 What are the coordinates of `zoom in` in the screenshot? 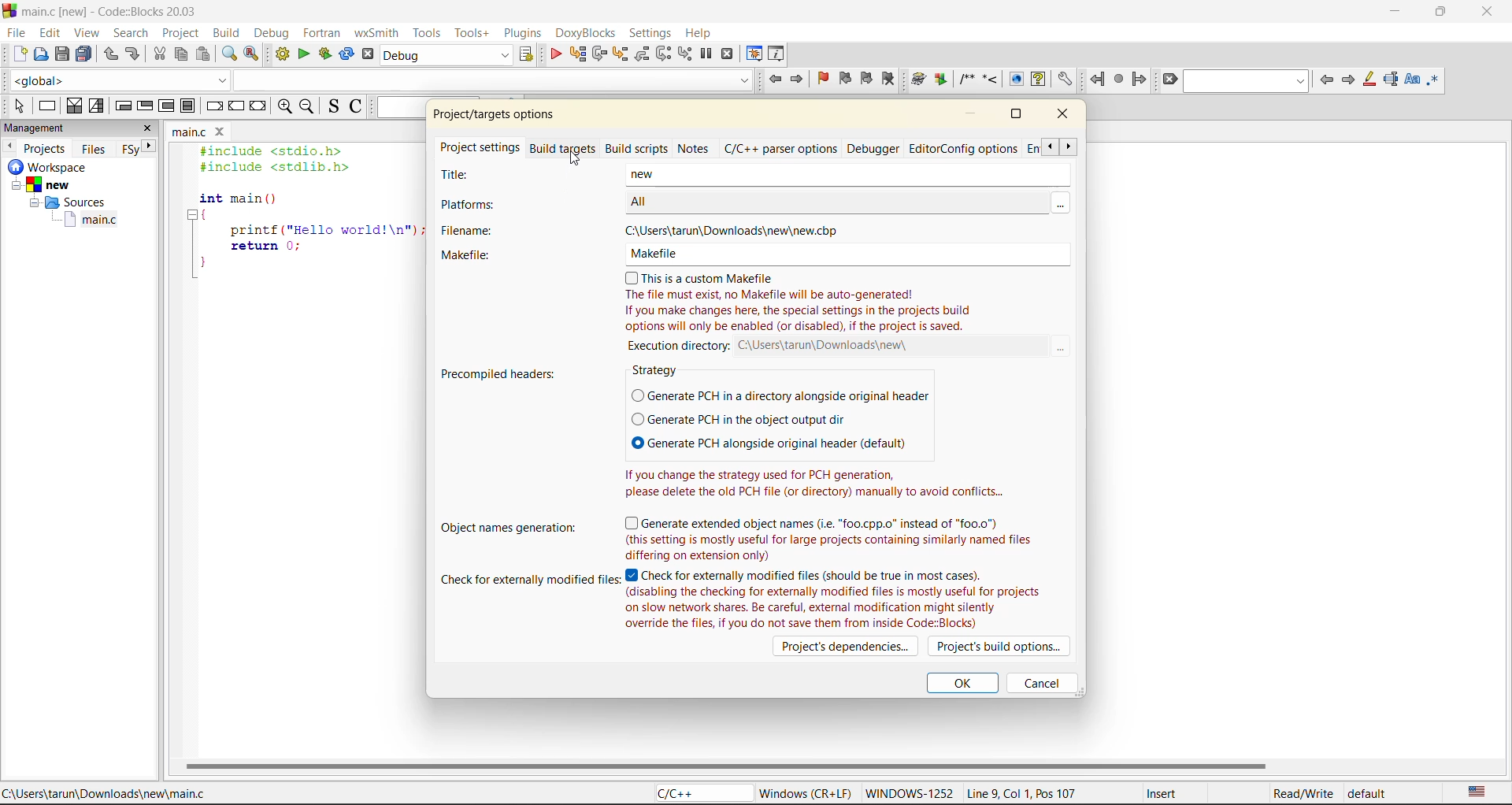 It's located at (283, 107).